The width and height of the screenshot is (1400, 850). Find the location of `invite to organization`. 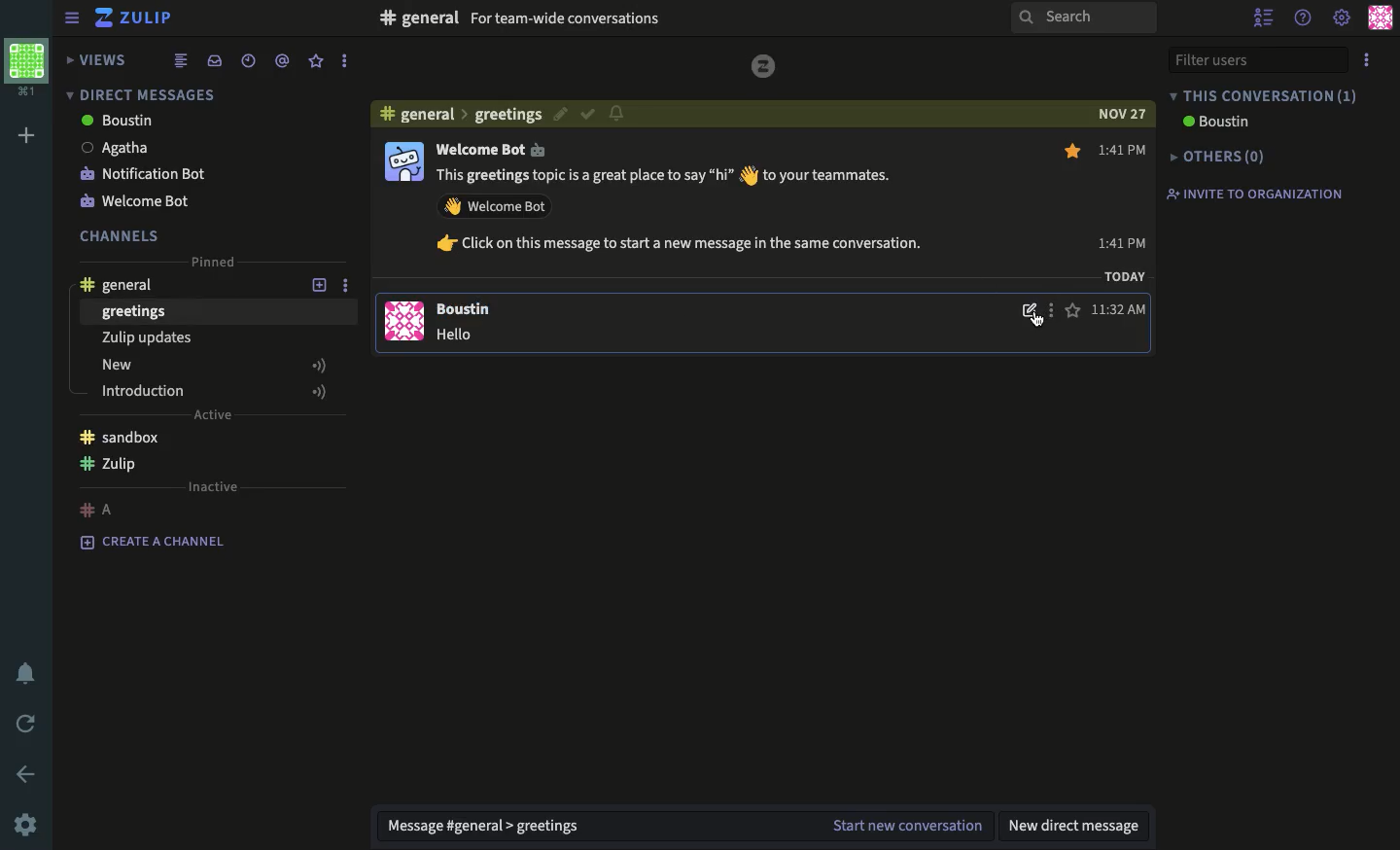

invite to organization is located at coordinates (1256, 193).